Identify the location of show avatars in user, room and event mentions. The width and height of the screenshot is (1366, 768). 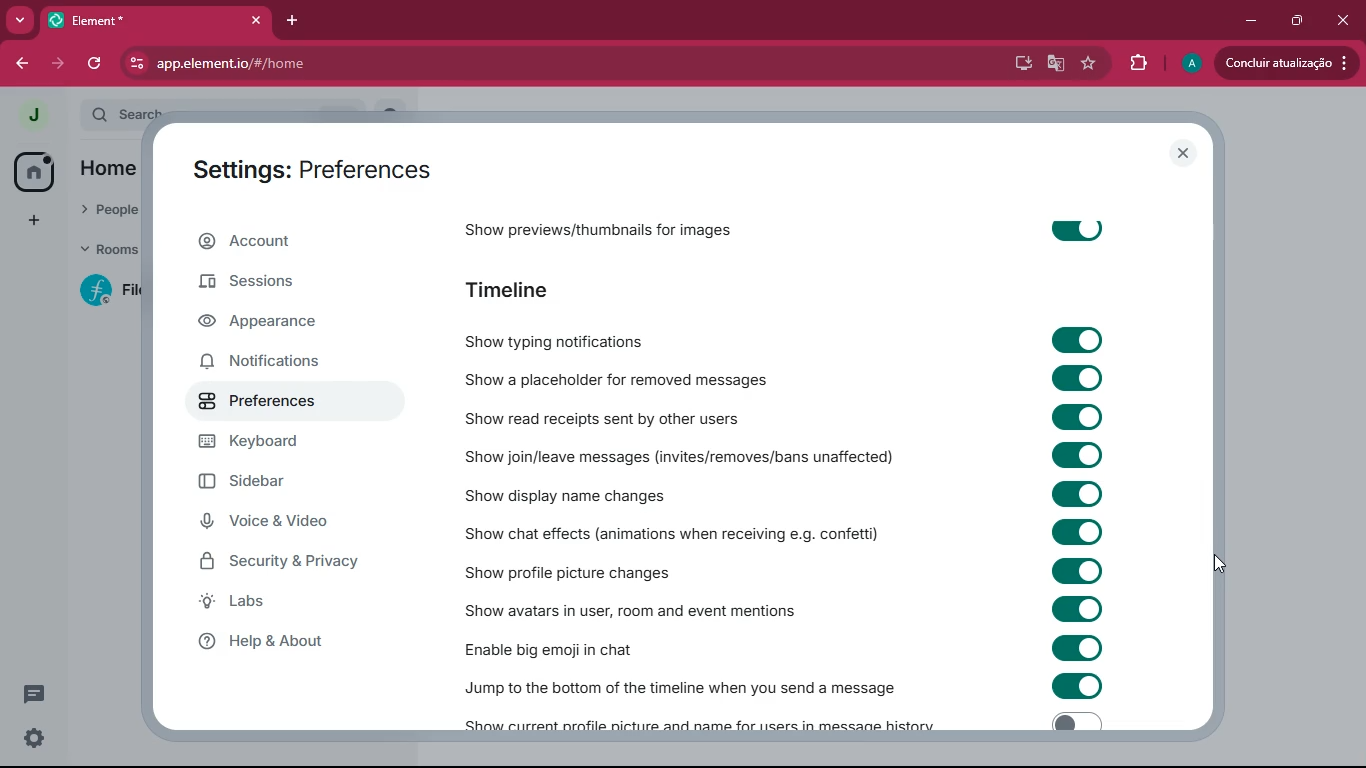
(660, 609).